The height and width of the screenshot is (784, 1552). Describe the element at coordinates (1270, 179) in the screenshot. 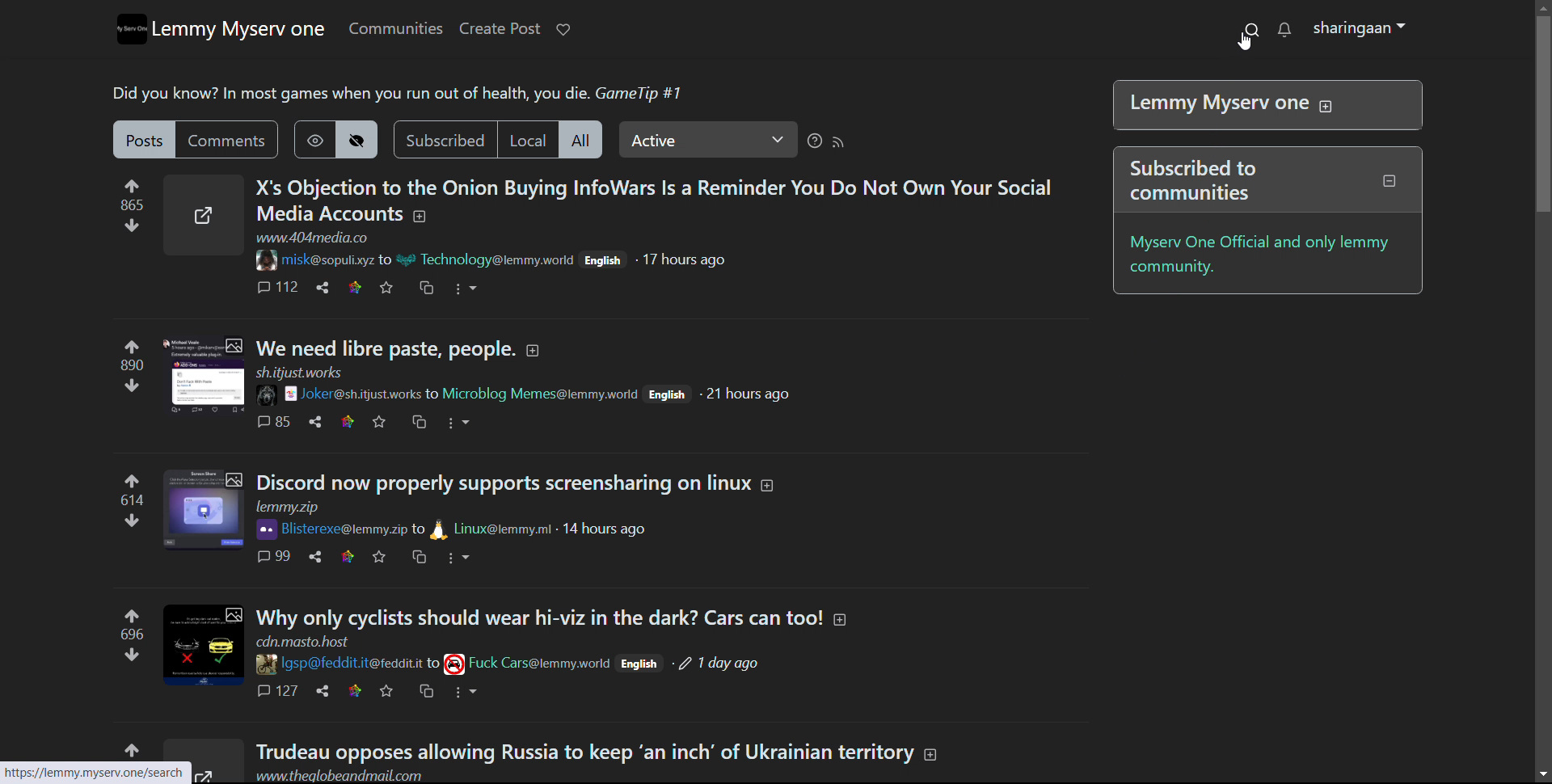

I see `Subscribed to communities` at that location.